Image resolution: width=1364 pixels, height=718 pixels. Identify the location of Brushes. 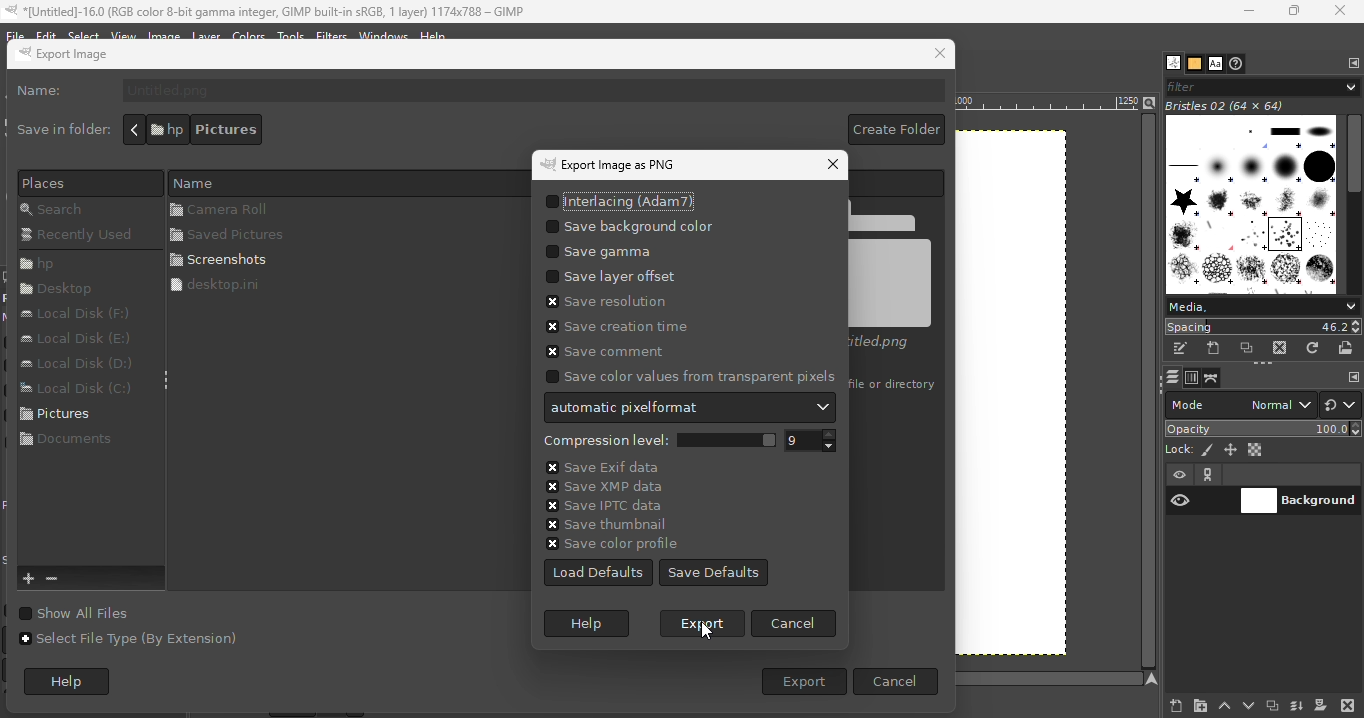
(1169, 63).